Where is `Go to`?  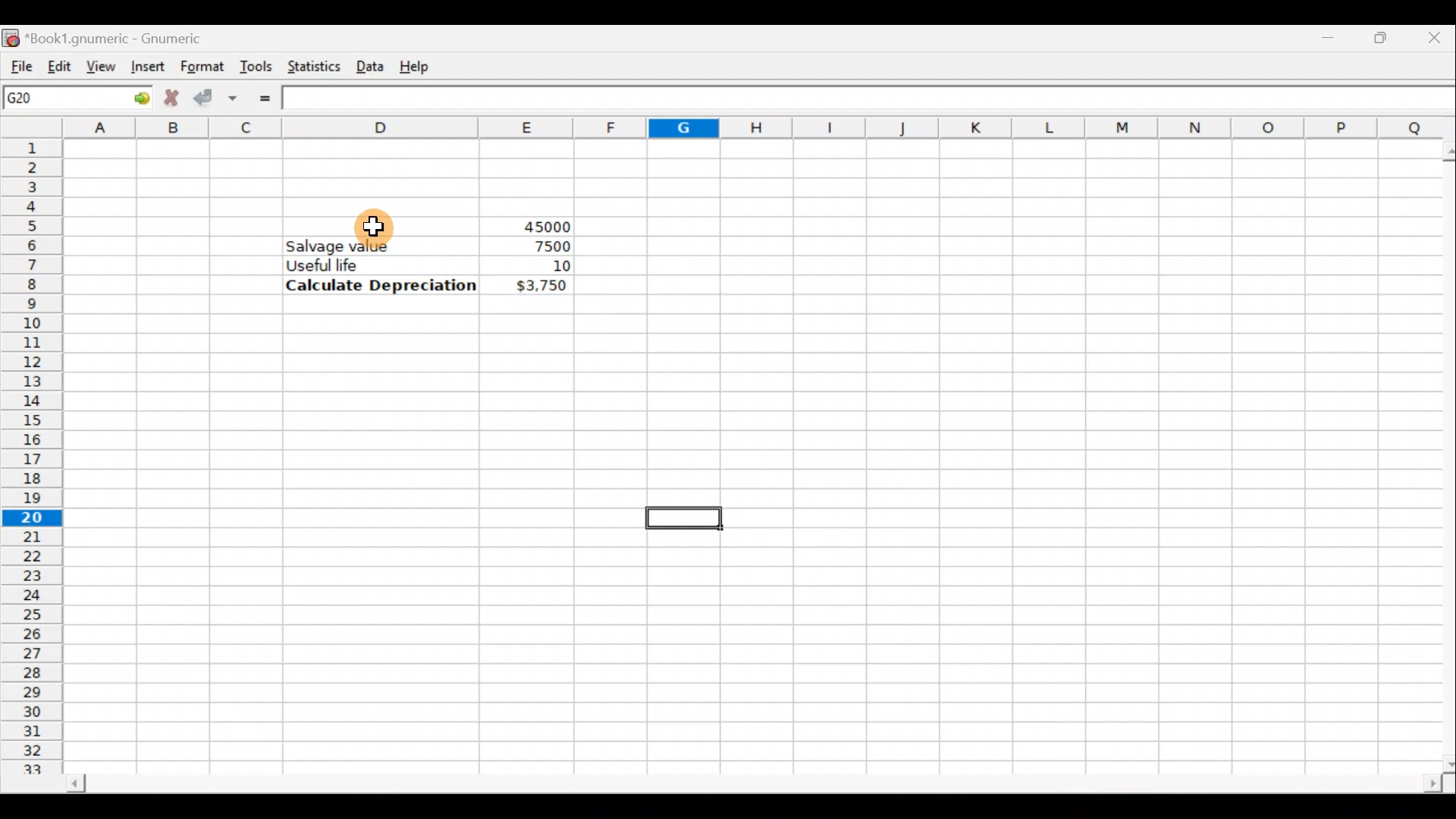 Go to is located at coordinates (136, 99).